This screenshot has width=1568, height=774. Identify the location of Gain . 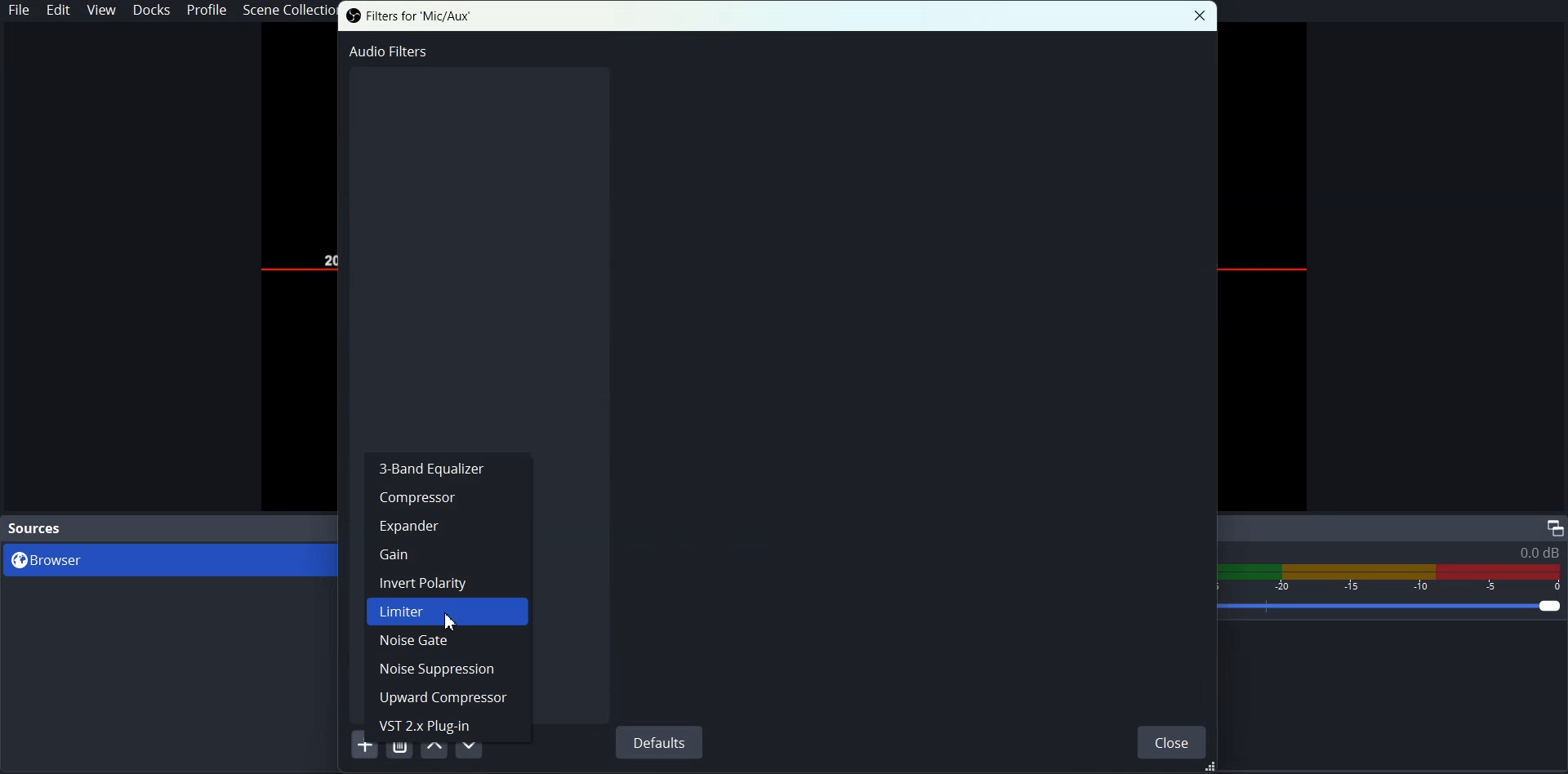
(447, 555).